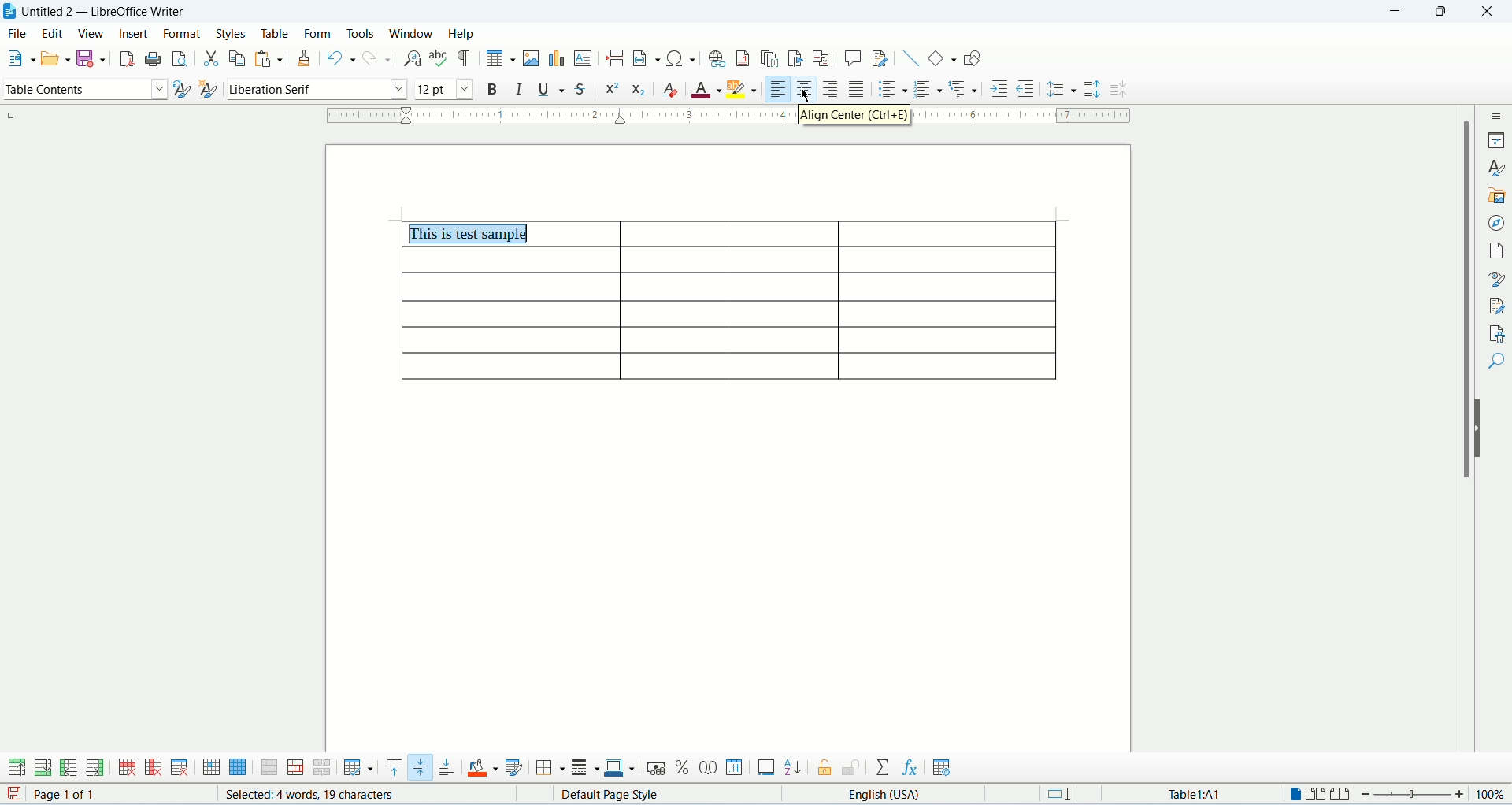 The image size is (1512, 805). I want to click on justified, so click(859, 87).